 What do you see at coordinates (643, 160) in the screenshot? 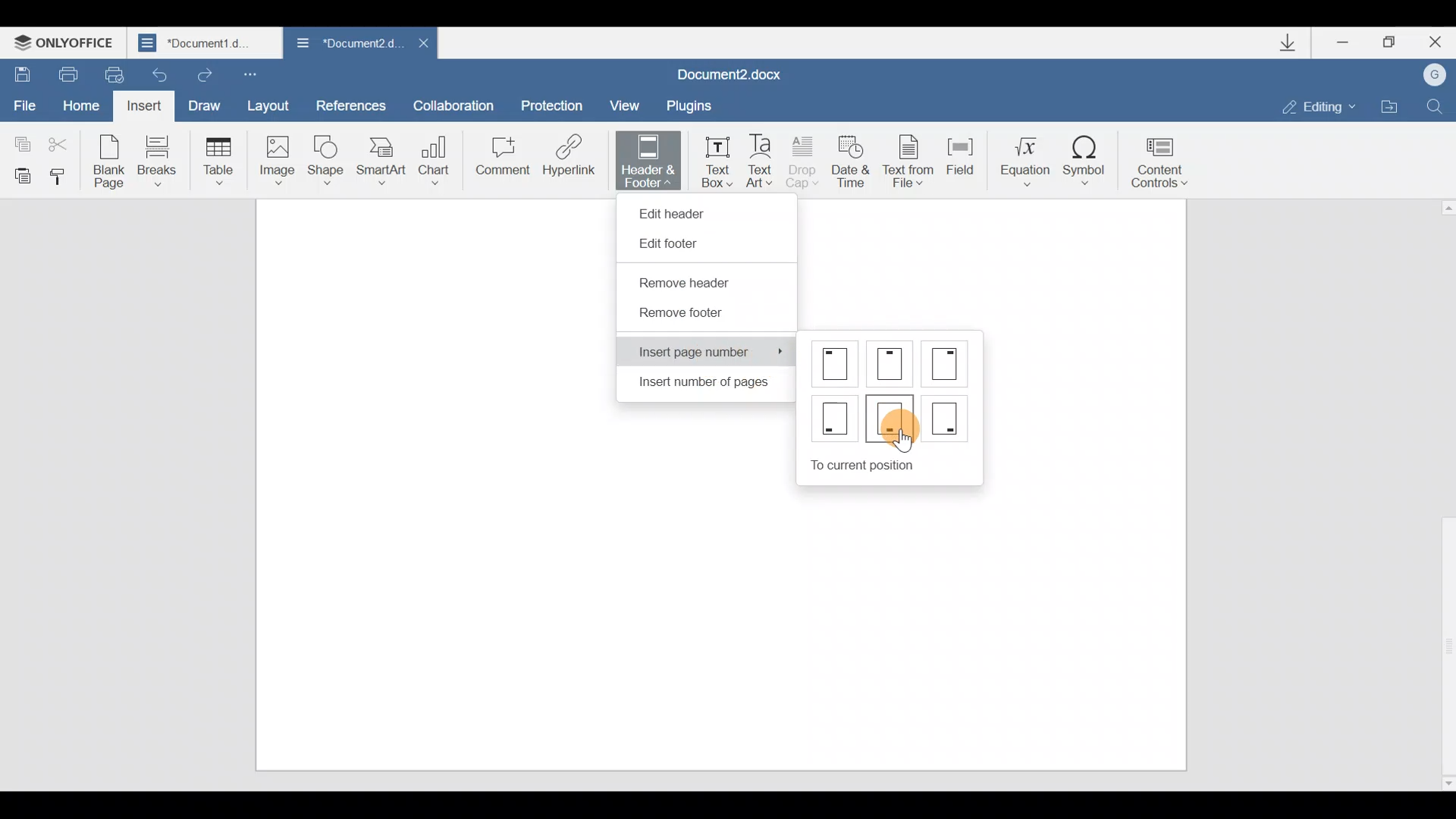
I see `Header & footer` at bounding box center [643, 160].